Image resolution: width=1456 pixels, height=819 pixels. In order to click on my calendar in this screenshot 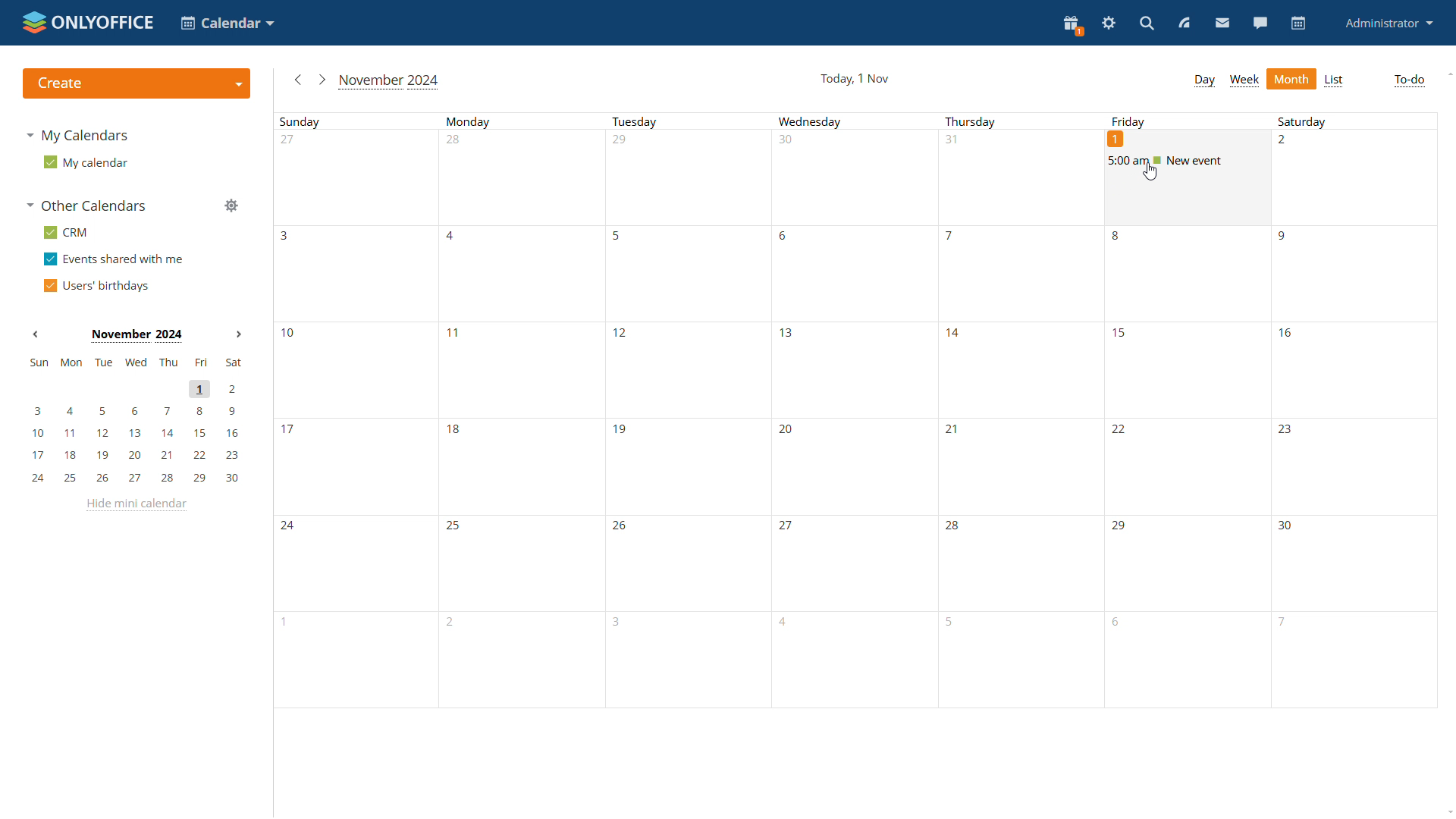, I will do `click(88, 165)`.